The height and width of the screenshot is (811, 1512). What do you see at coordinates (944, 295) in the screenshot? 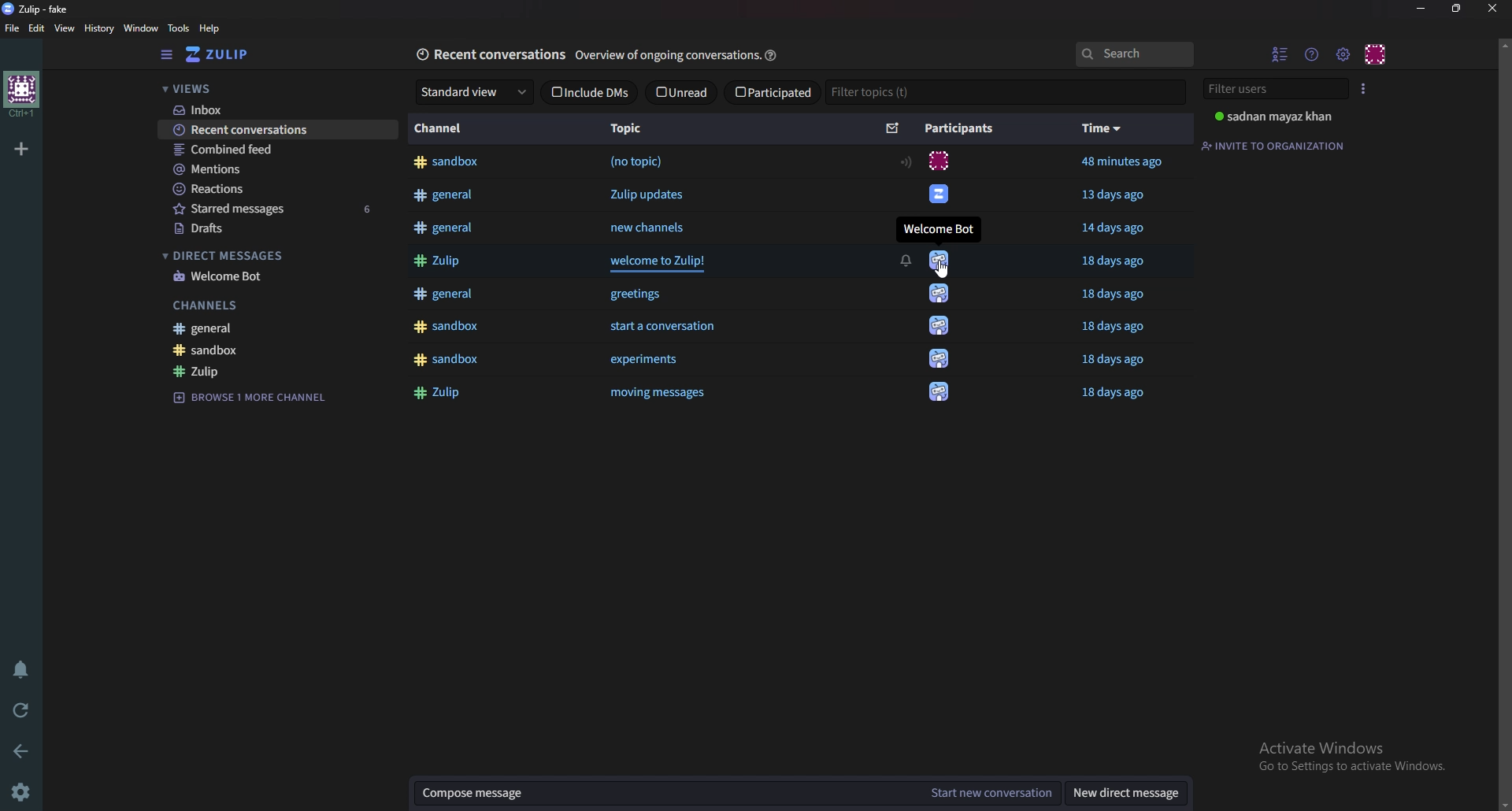
I see `icon` at bounding box center [944, 295].